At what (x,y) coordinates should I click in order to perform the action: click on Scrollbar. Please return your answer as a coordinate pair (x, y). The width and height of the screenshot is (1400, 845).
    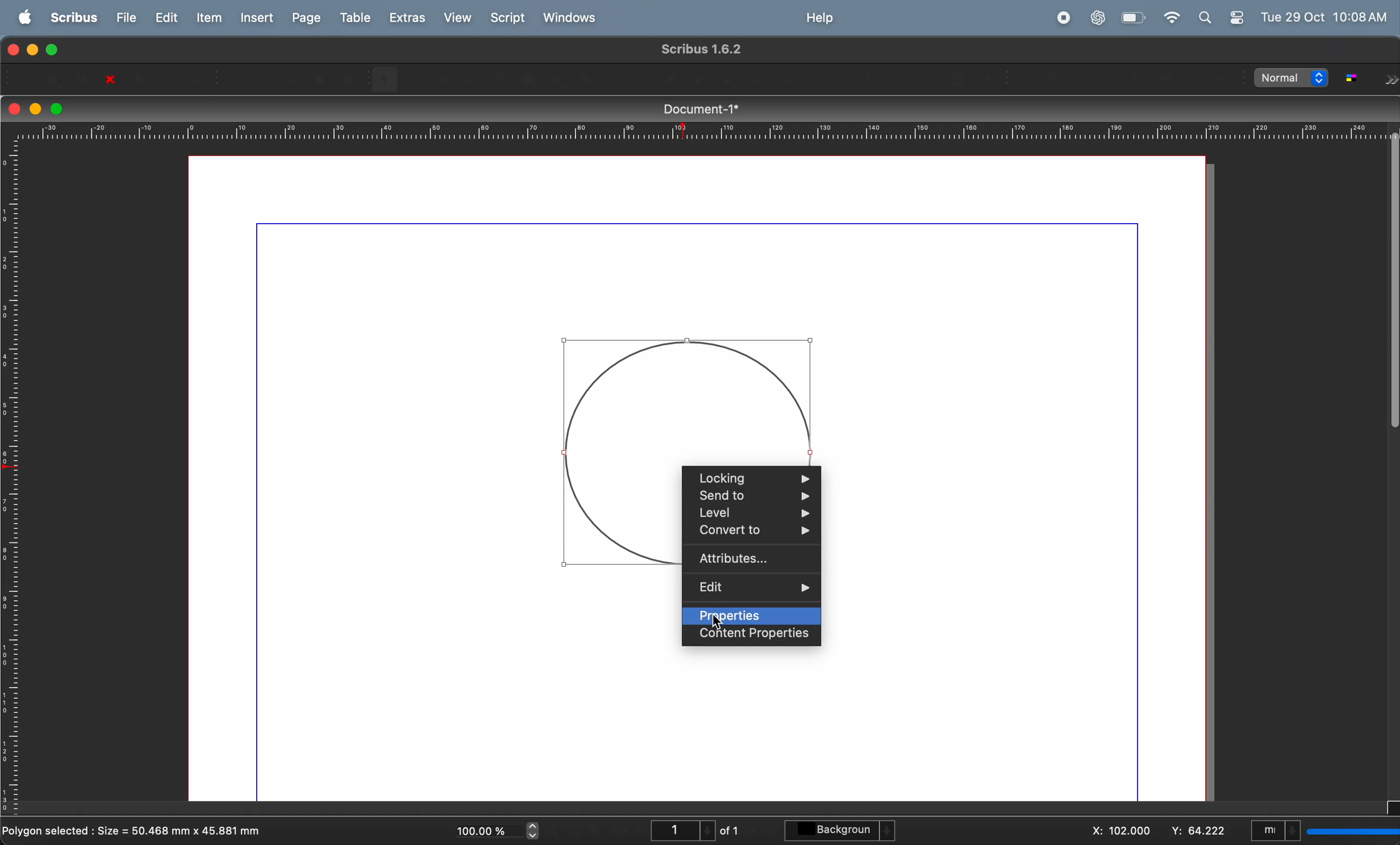
    Looking at the image, I should click on (1391, 276).